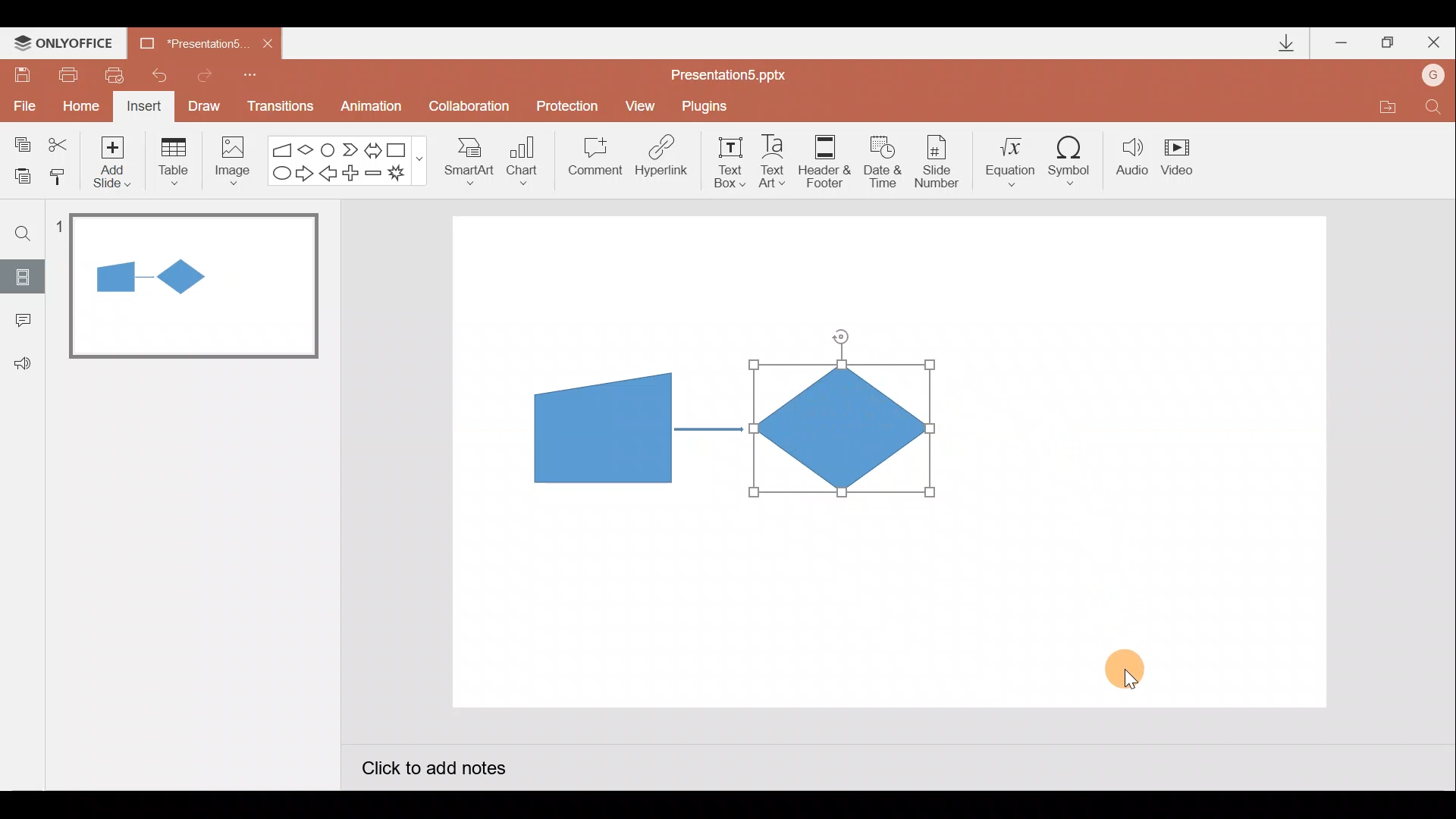 This screenshot has height=819, width=1456. Describe the element at coordinates (20, 142) in the screenshot. I see `Copy` at that location.